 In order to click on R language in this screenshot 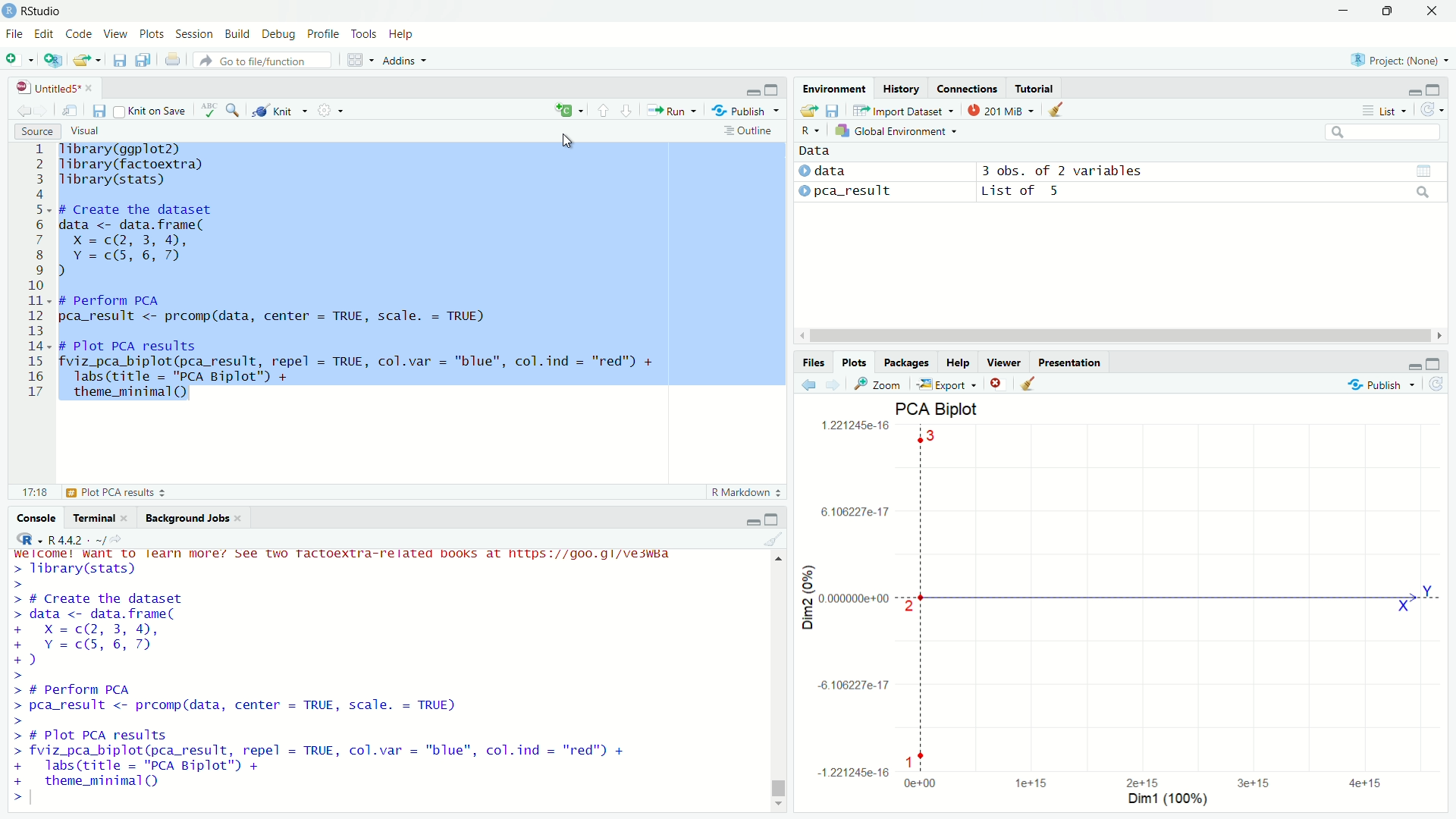, I will do `click(811, 130)`.